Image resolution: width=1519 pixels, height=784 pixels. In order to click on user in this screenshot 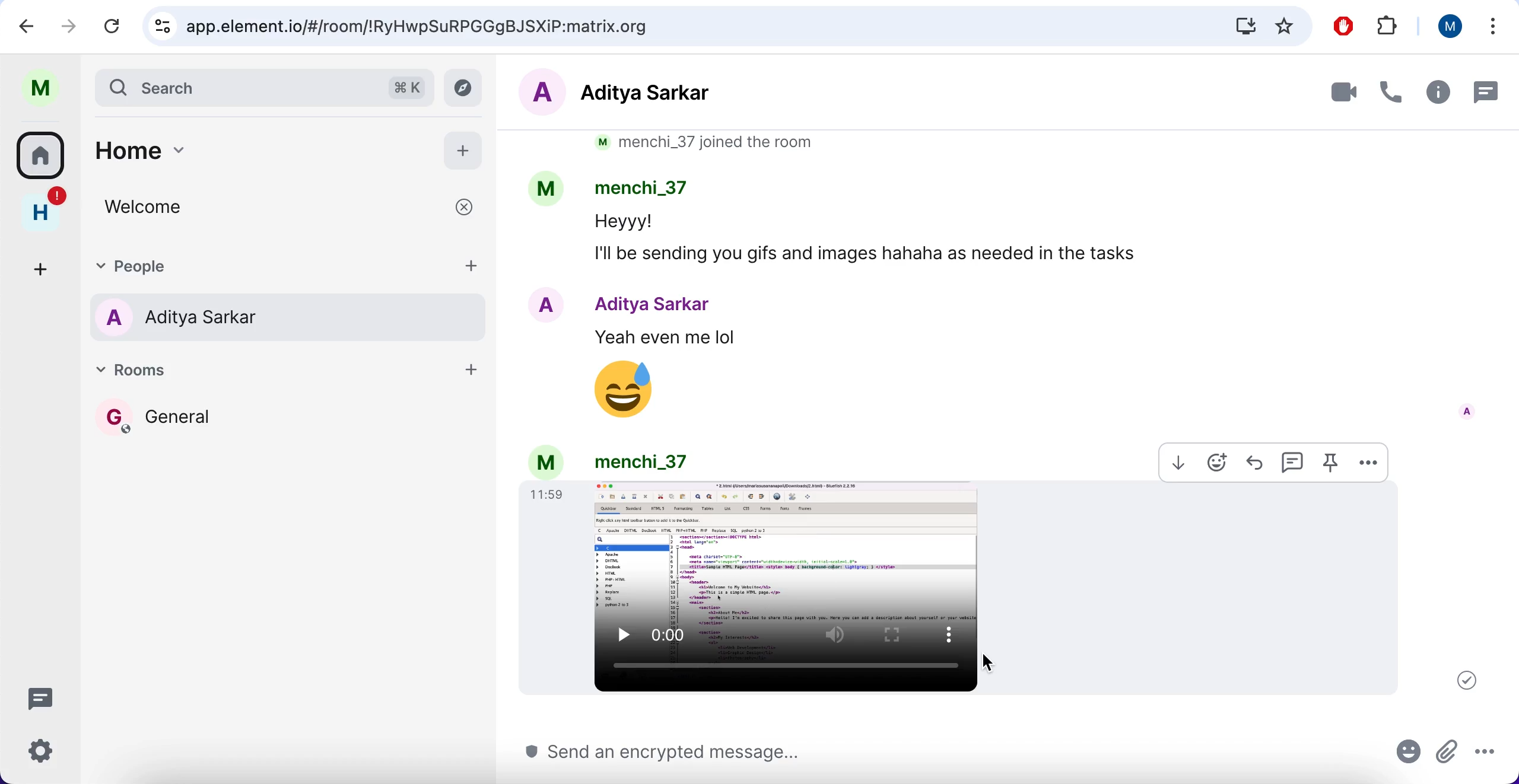, I will do `click(1450, 27)`.